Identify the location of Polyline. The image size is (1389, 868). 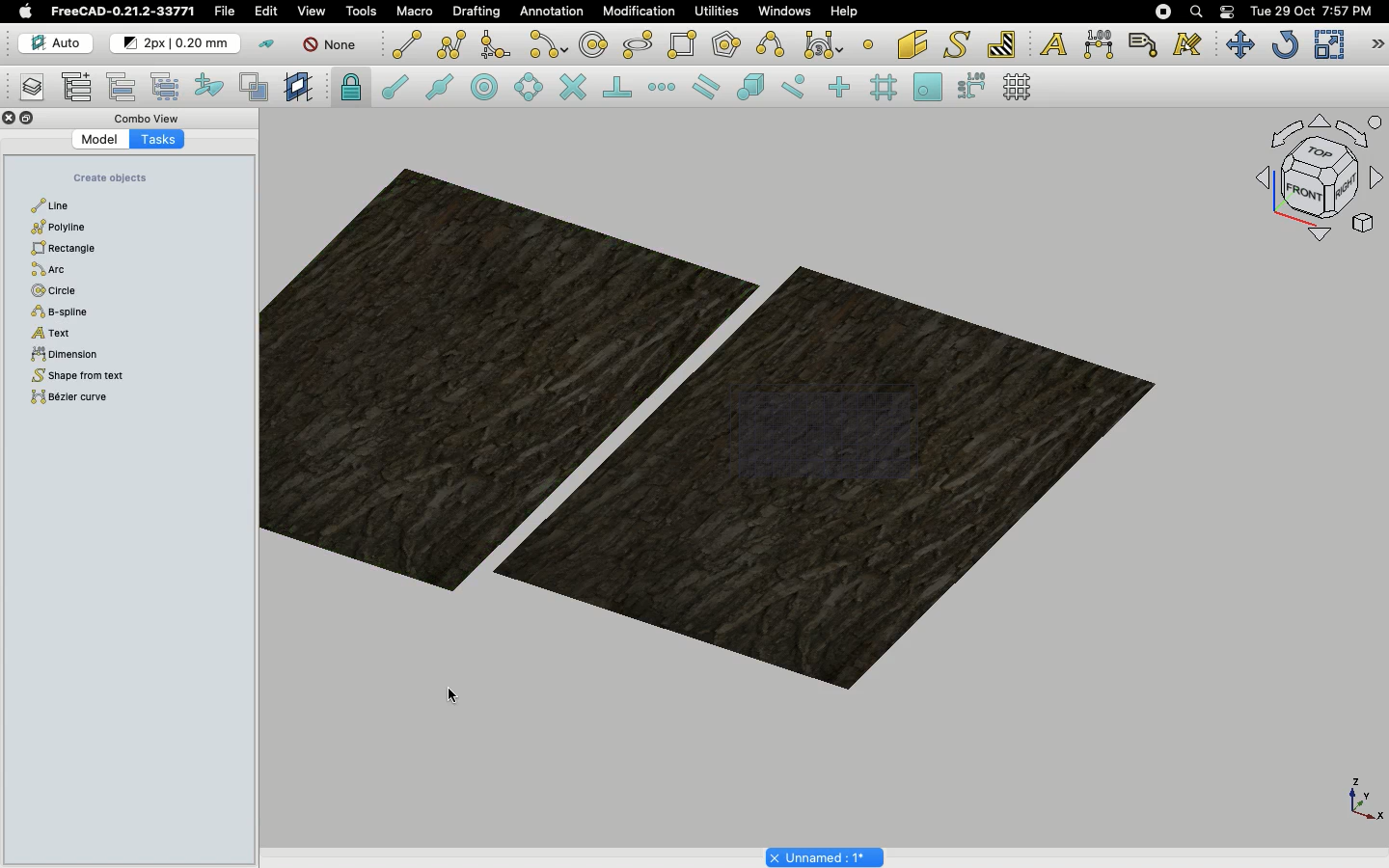
(451, 44).